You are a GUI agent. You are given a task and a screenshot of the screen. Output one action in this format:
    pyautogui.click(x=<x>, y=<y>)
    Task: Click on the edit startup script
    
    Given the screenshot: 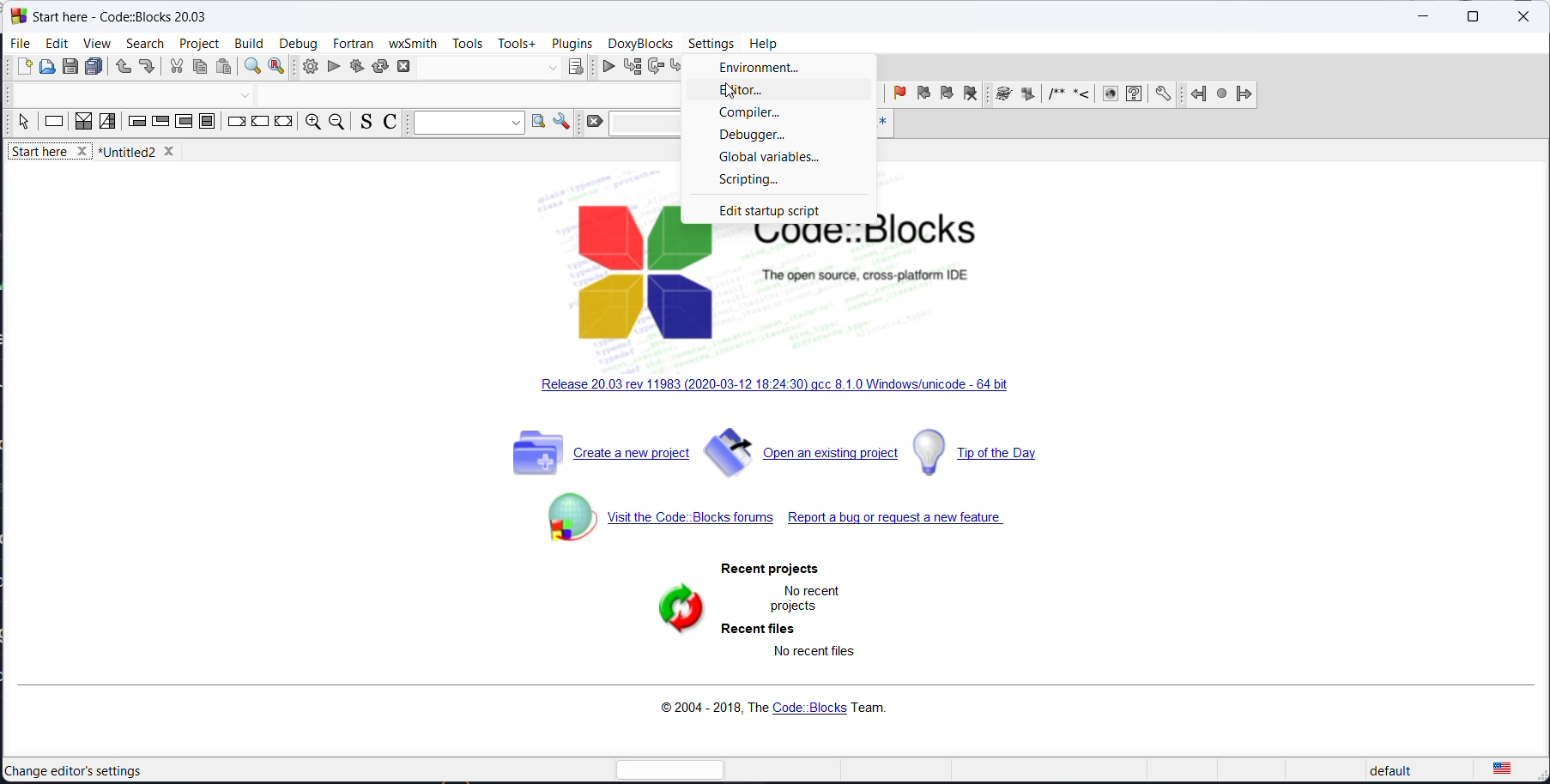 What is the action you would take?
    pyautogui.click(x=785, y=210)
    